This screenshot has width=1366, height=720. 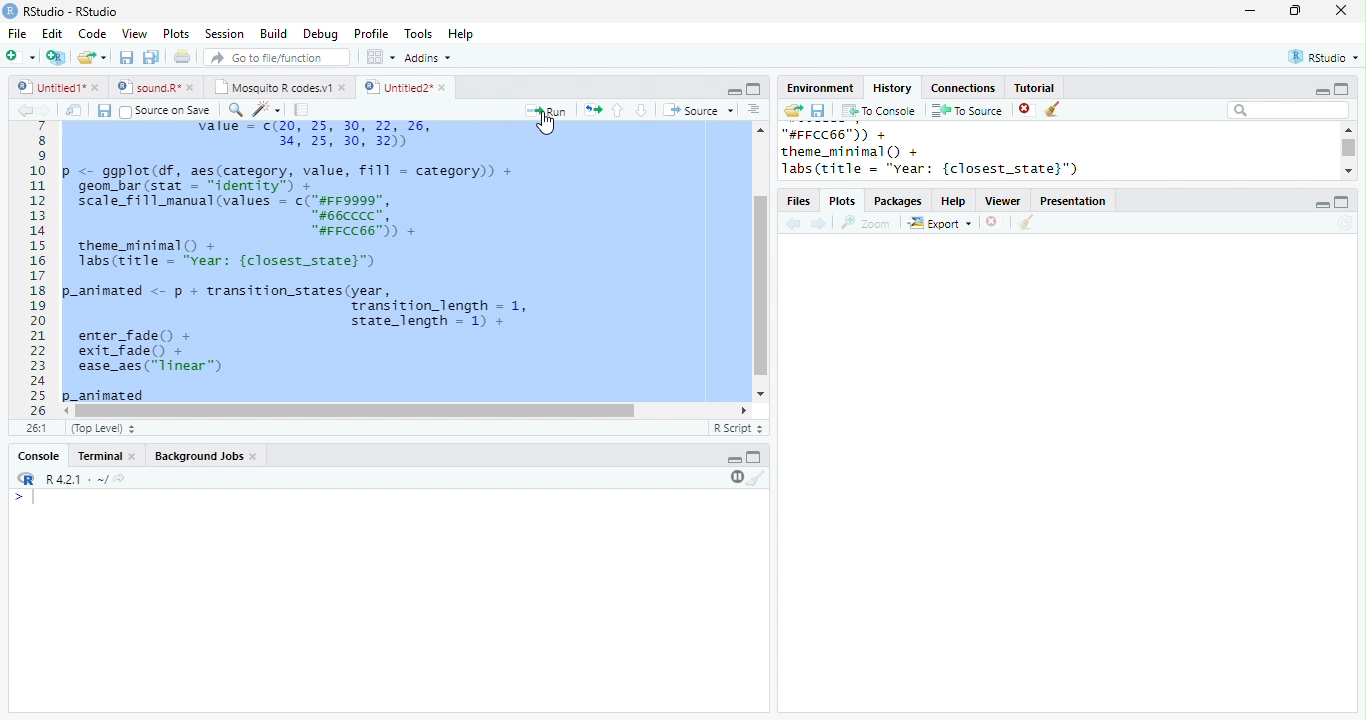 I want to click on scroll right, so click(x=68, y=411).